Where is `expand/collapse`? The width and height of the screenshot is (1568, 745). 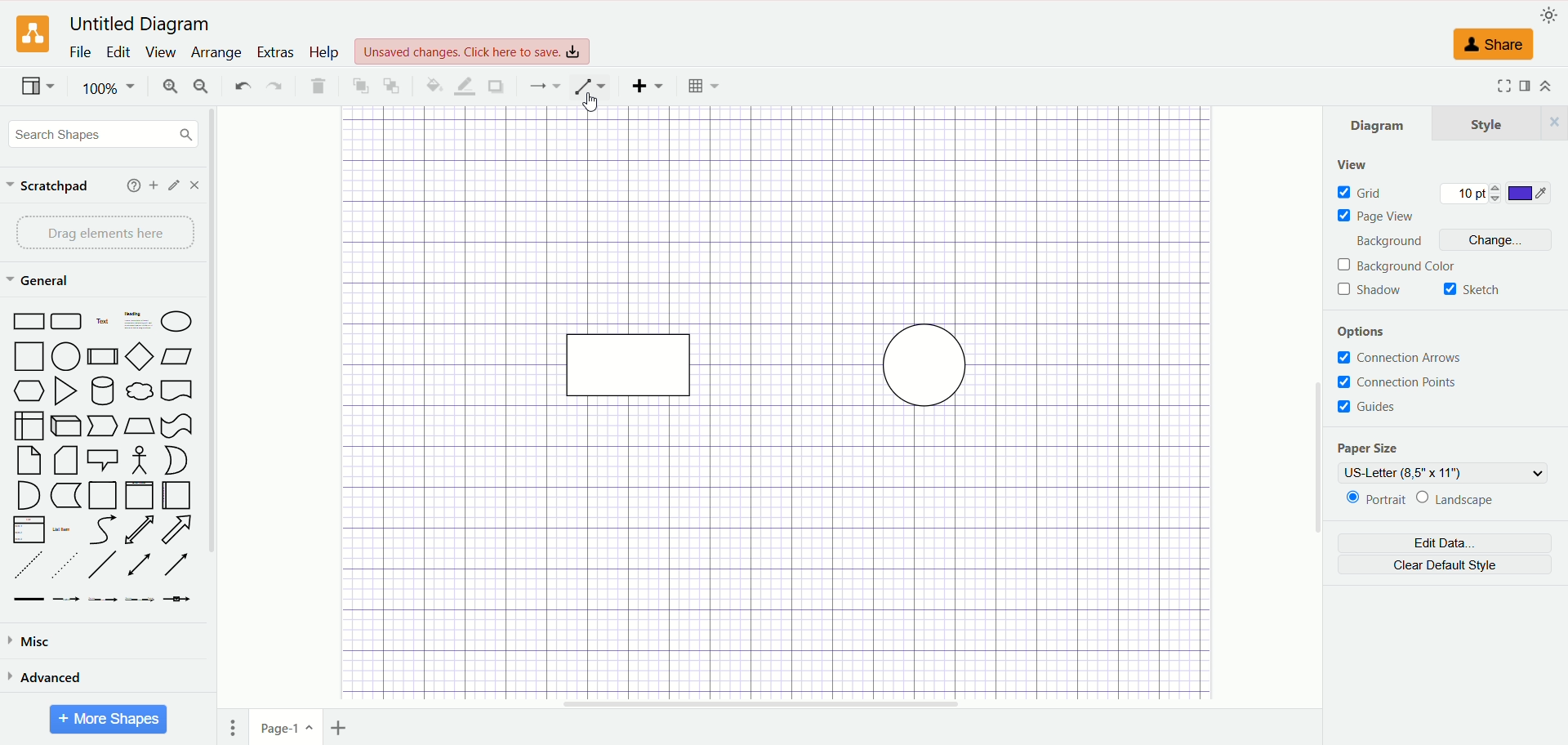
expand/collapse is located at coordinates (1546, 86).